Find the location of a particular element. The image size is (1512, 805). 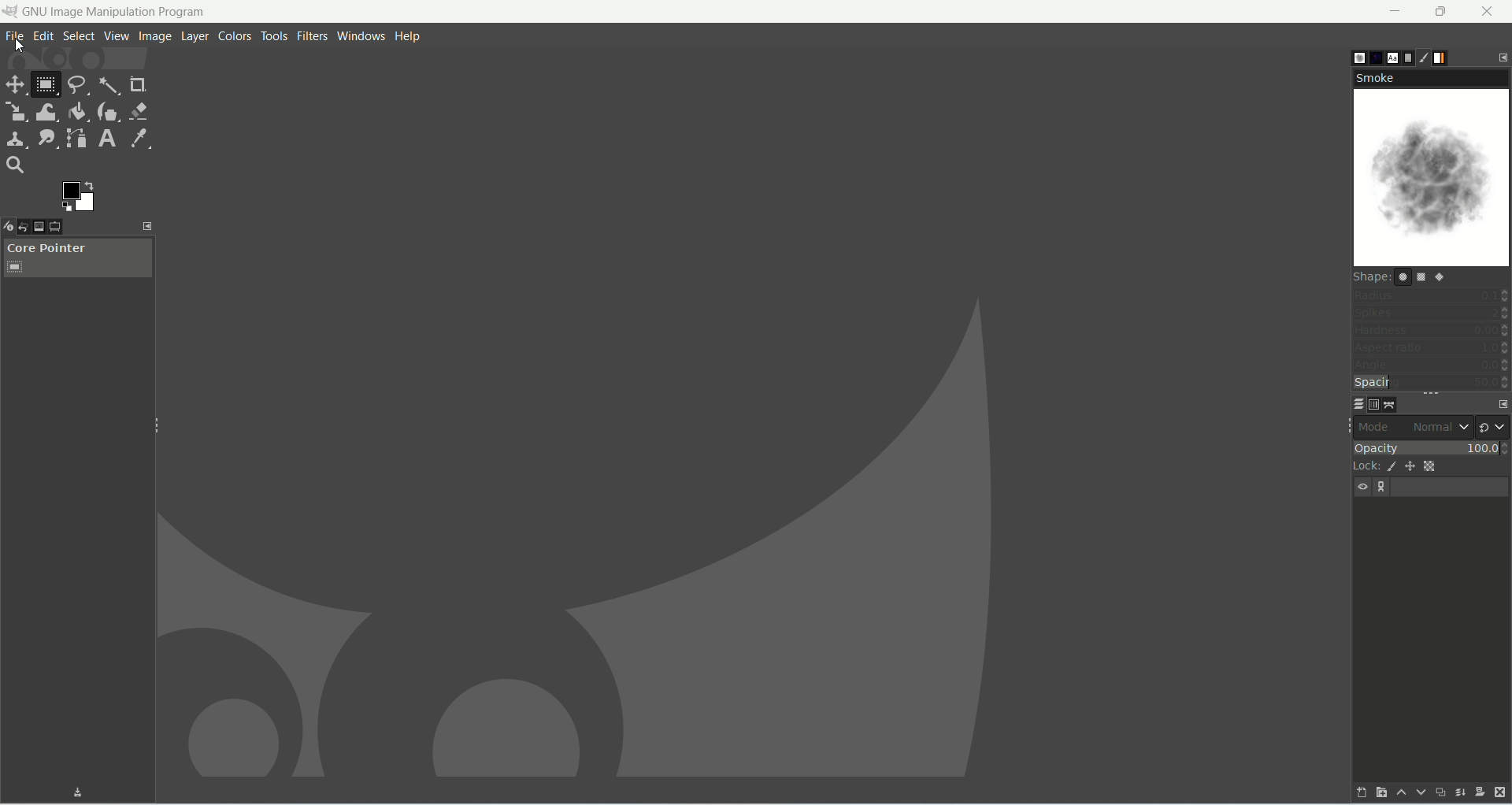

clone tool is located at coordinates (15, 140).